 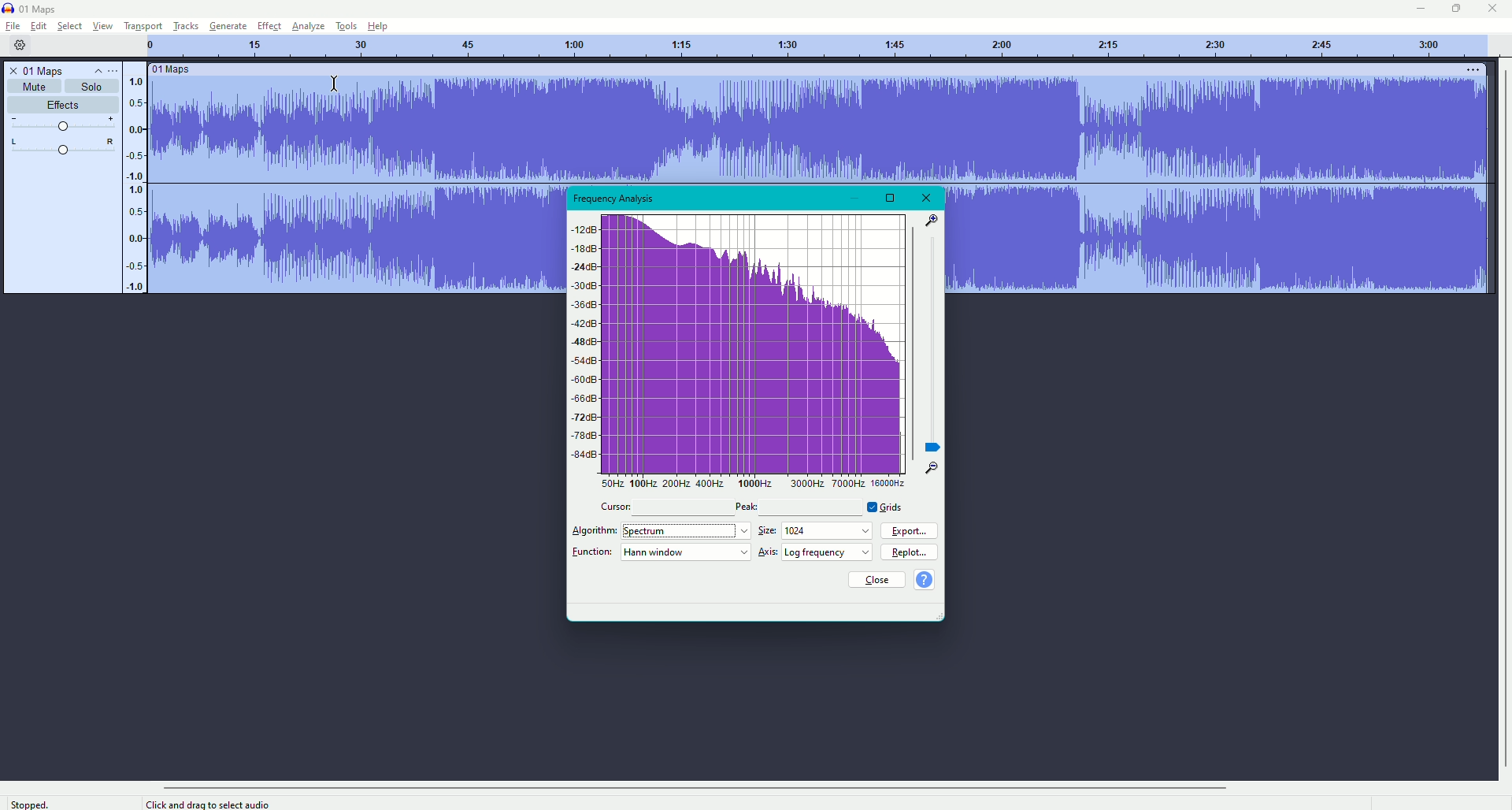 I want to click on Minimize, so click(x=857, y=196).